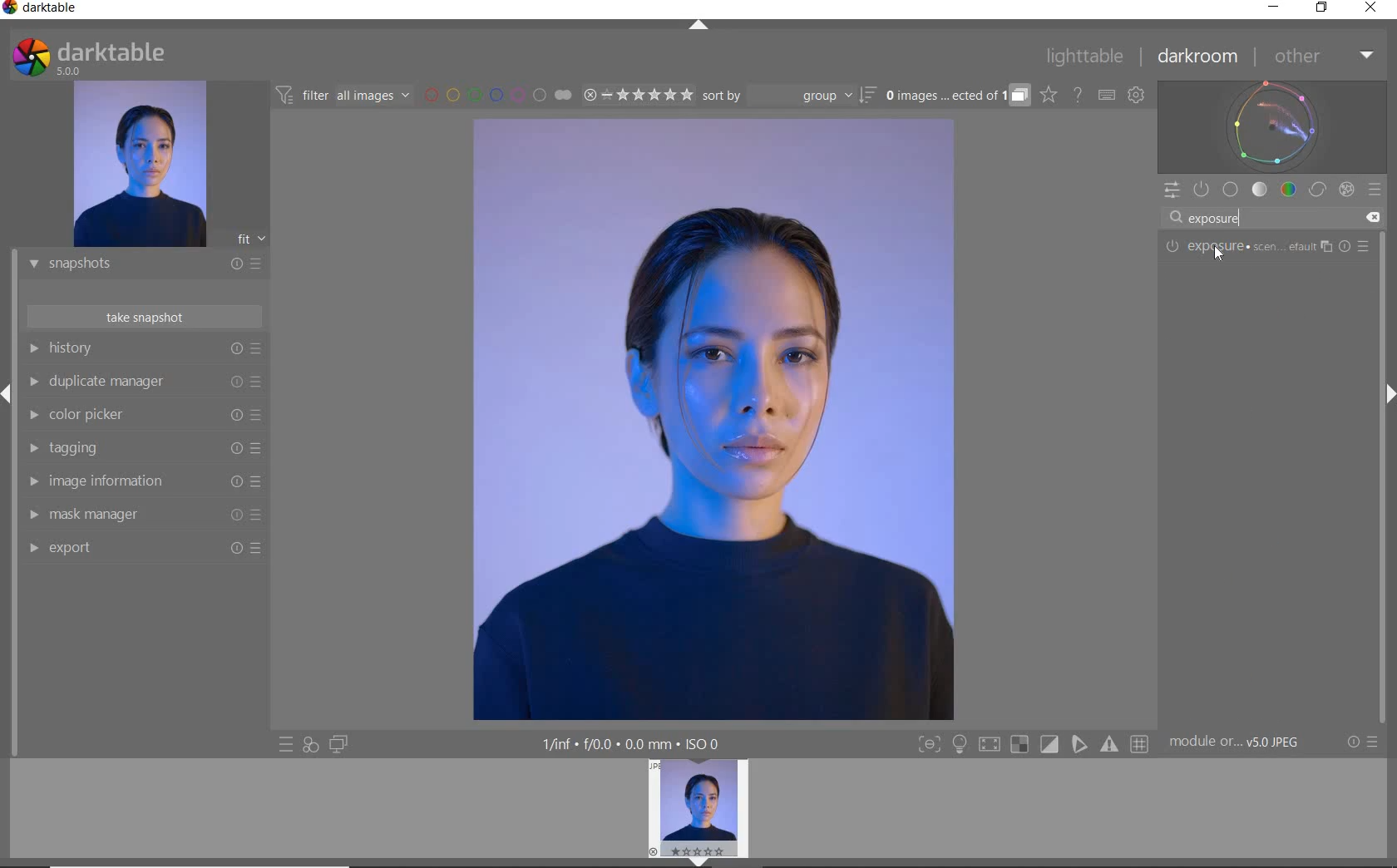 The width and height of the screenshot is (1397, 868). Describe the element at coordinates (1049, 95) in the screenshot. I see `CLICK TO CHANGE THE OVERLAYS SHOWN ON THUMBNAILS` at that location.